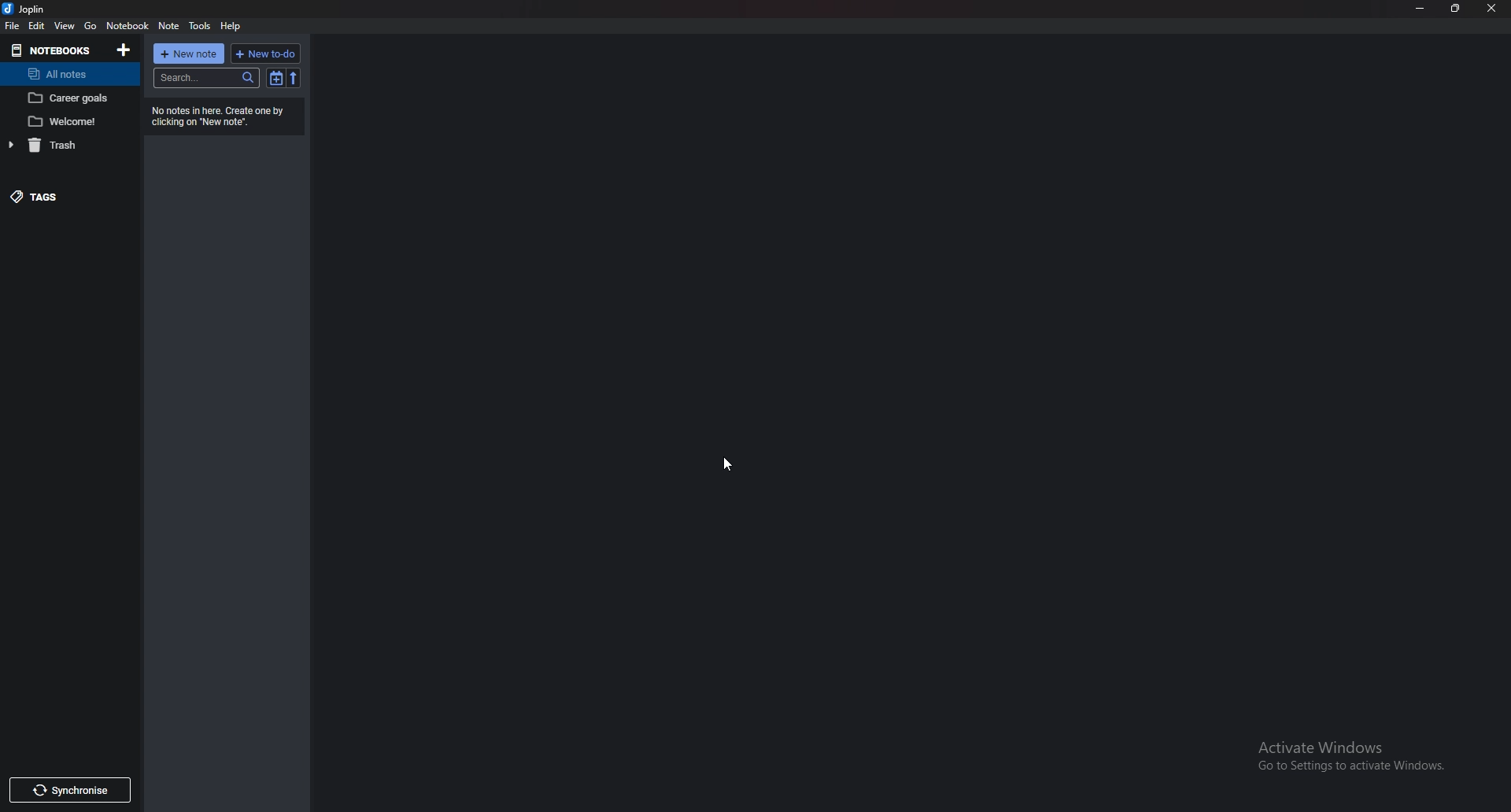 The height and width of the screenshot is (812, 1511). Describe the element at coordinates (1491, 7) in the screenshot. I see `close` at that location.